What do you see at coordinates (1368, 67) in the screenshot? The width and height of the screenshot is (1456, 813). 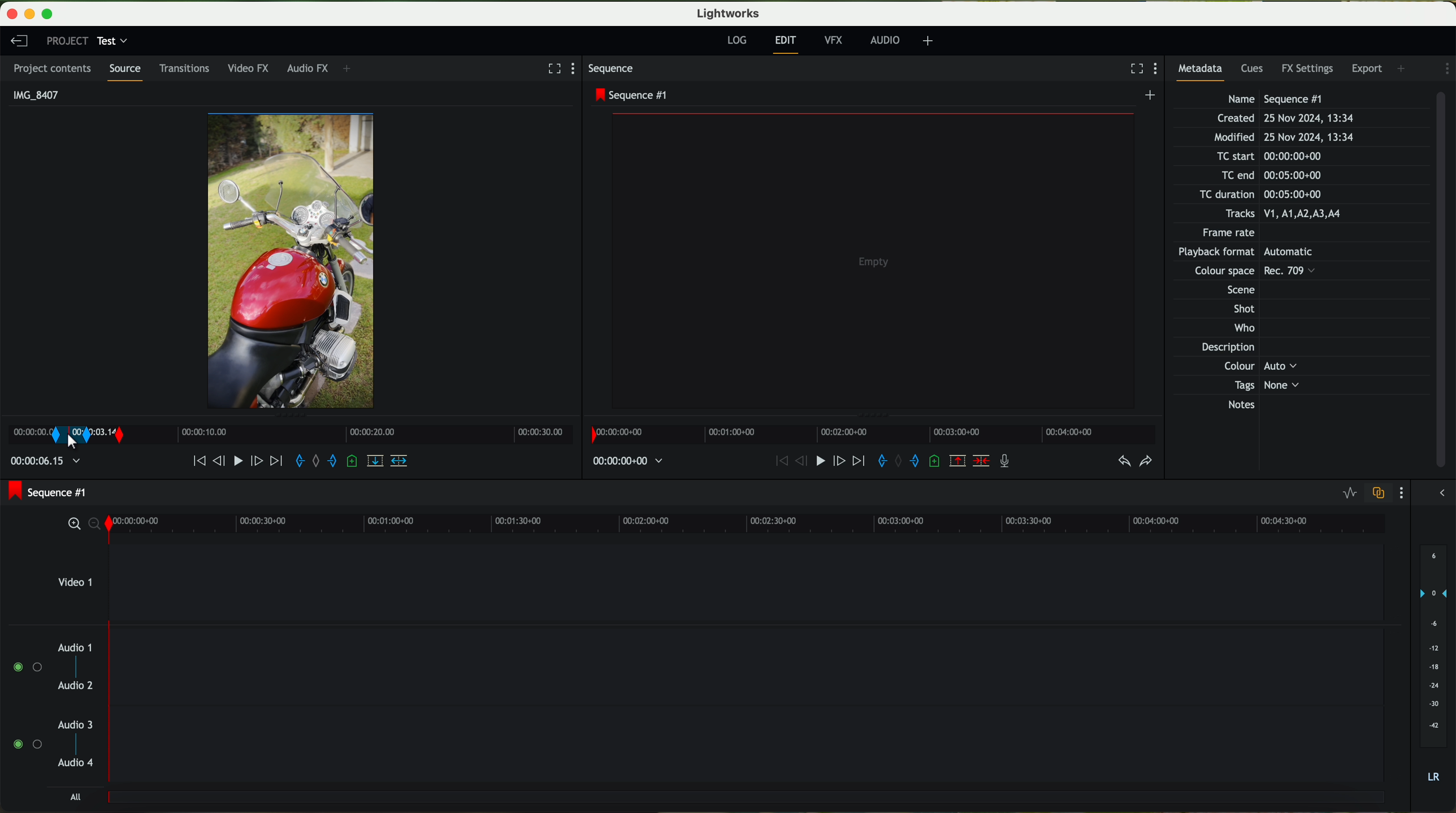 I see `export` at bounding box center [1368, 67].